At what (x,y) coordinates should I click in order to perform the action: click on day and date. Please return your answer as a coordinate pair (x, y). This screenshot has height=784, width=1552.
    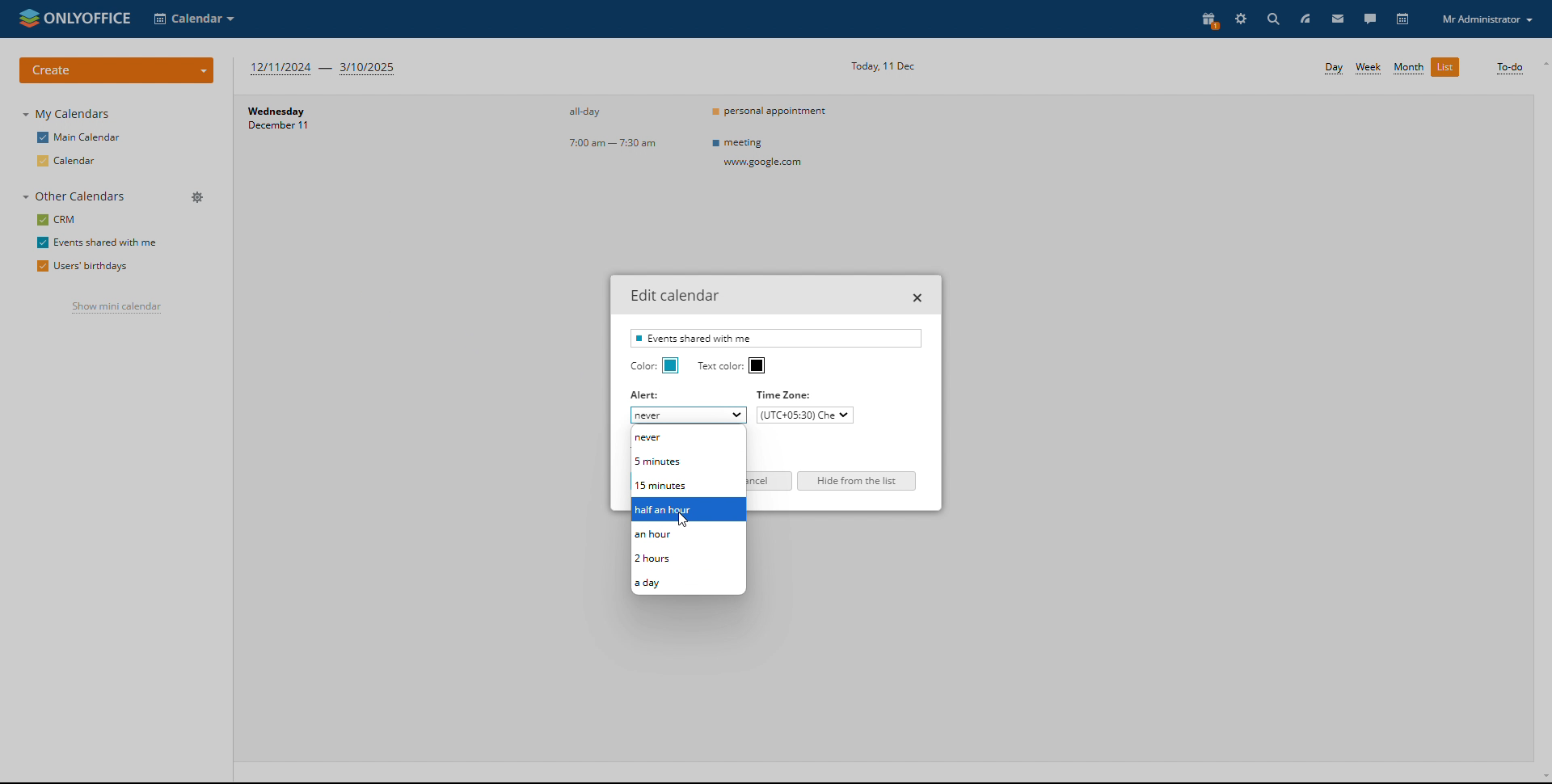
    Looking at the image, I should click on (314, 122).